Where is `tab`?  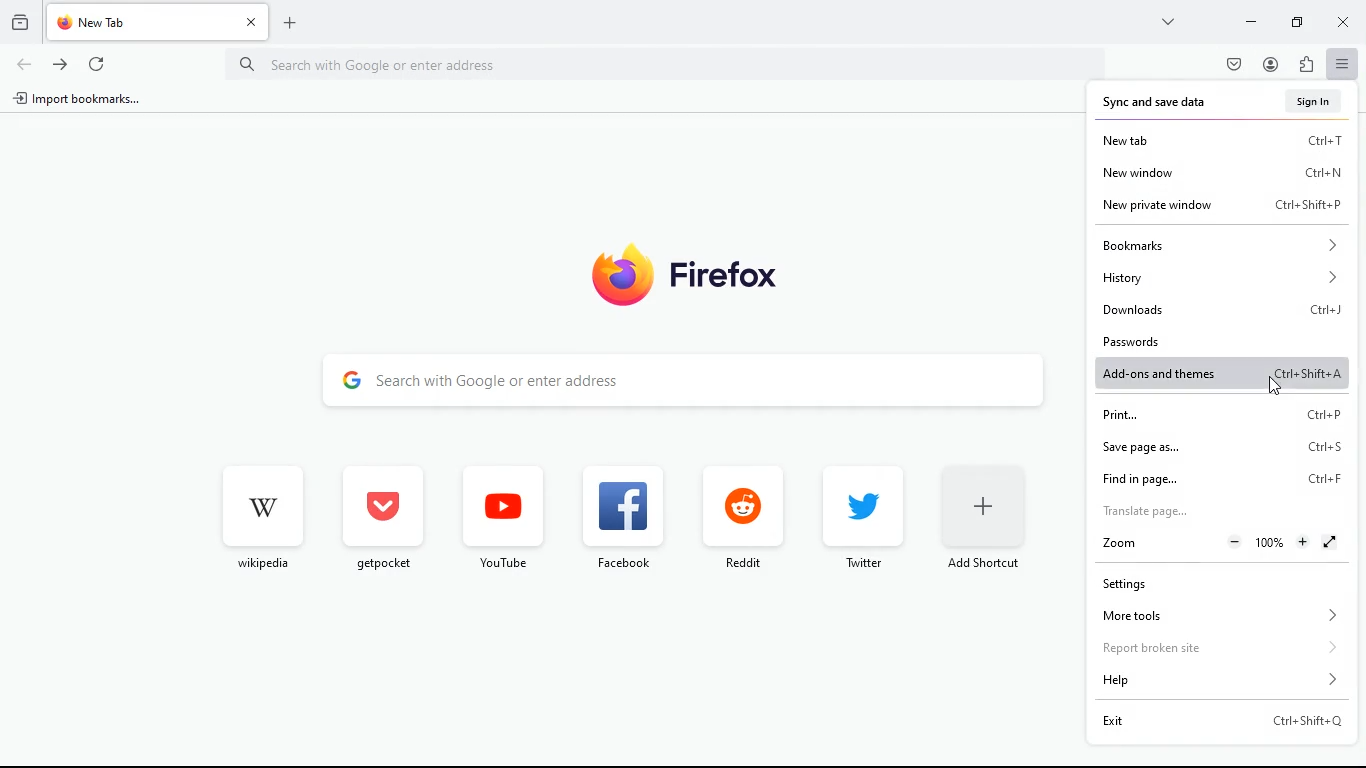
tab is located at coordinates (156, 24).